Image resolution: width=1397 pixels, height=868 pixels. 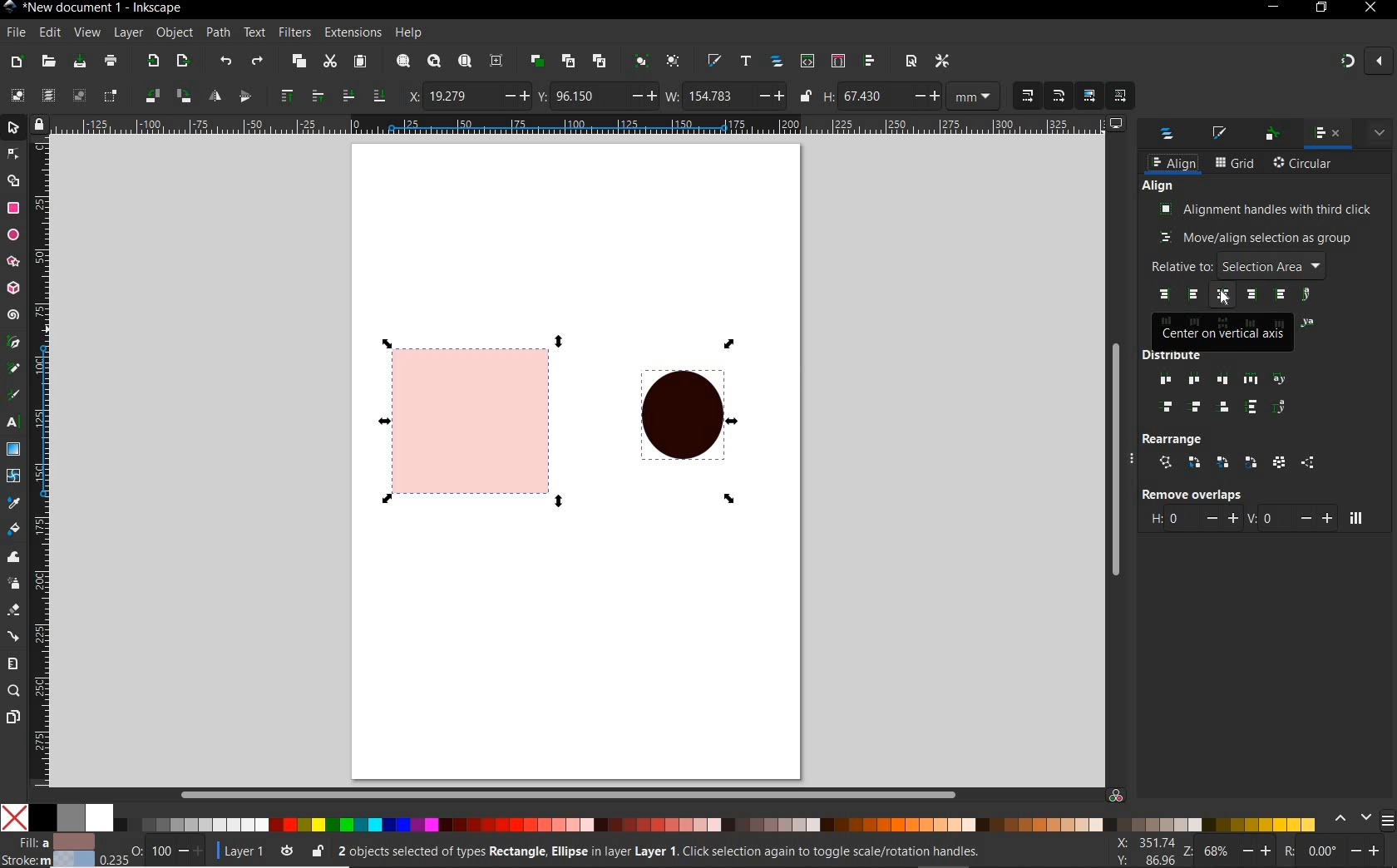 What do you see at coordinates (1226, 407) in the screenshot?
I see `EVEN BOTTOM EDGES` at bounding box center [1226, 407].